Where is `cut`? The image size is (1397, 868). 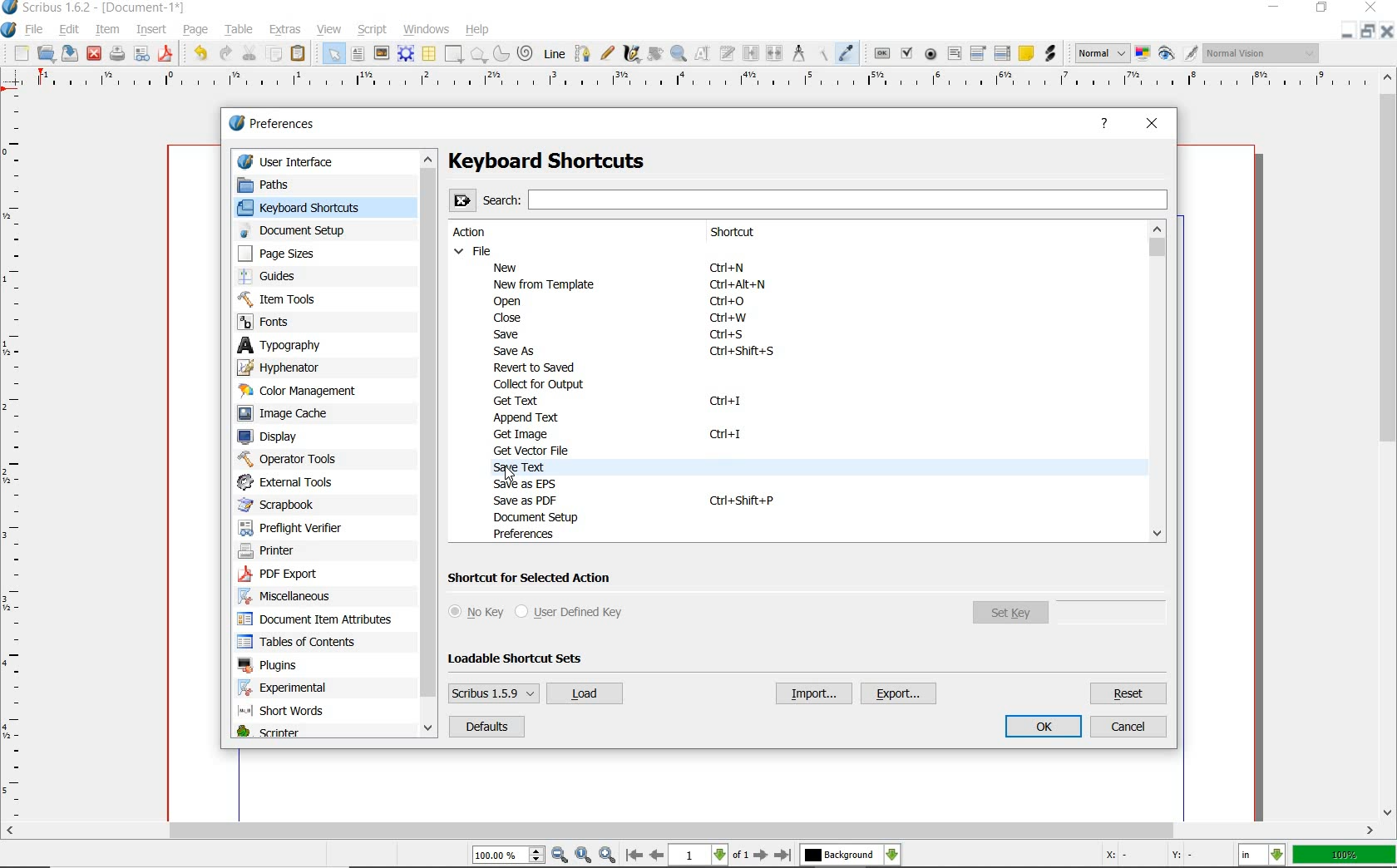
cut is located at coordinates (251, 52).